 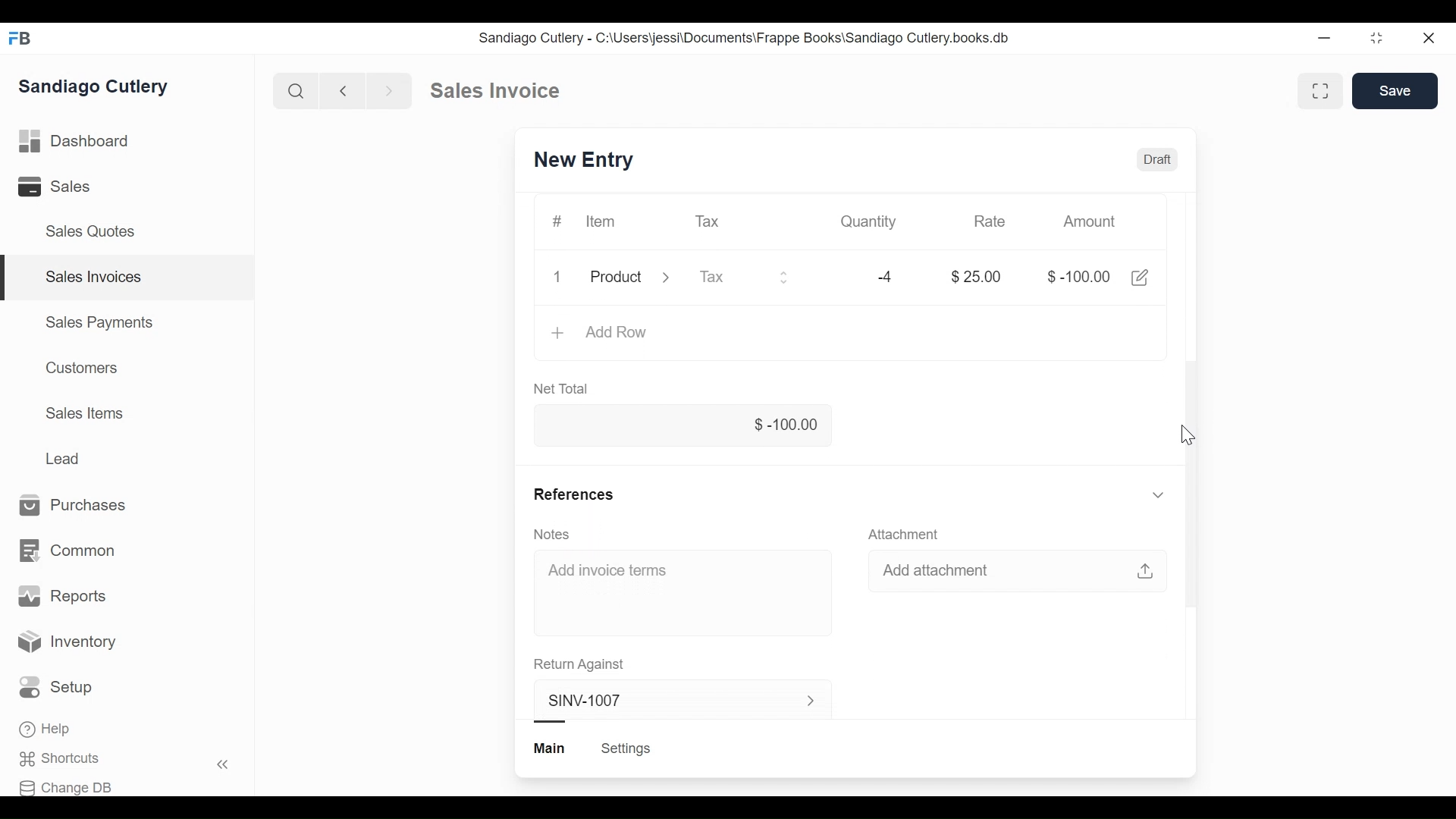 I want to click on Return Against, so click(x=579, y=664).